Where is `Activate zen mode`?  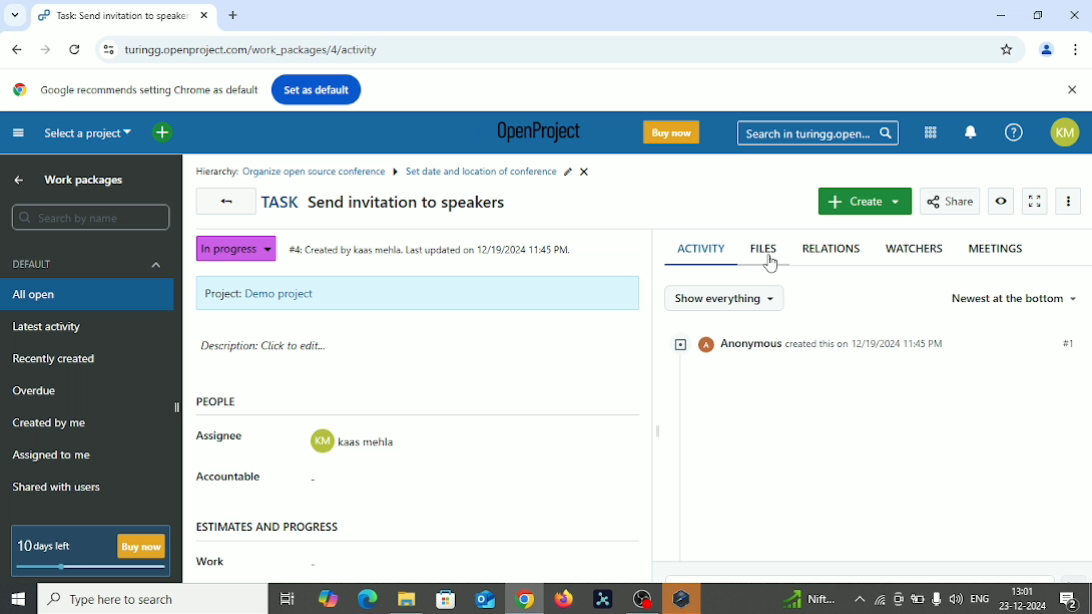
Activate zen mode is located at coordinates (1035, 202).